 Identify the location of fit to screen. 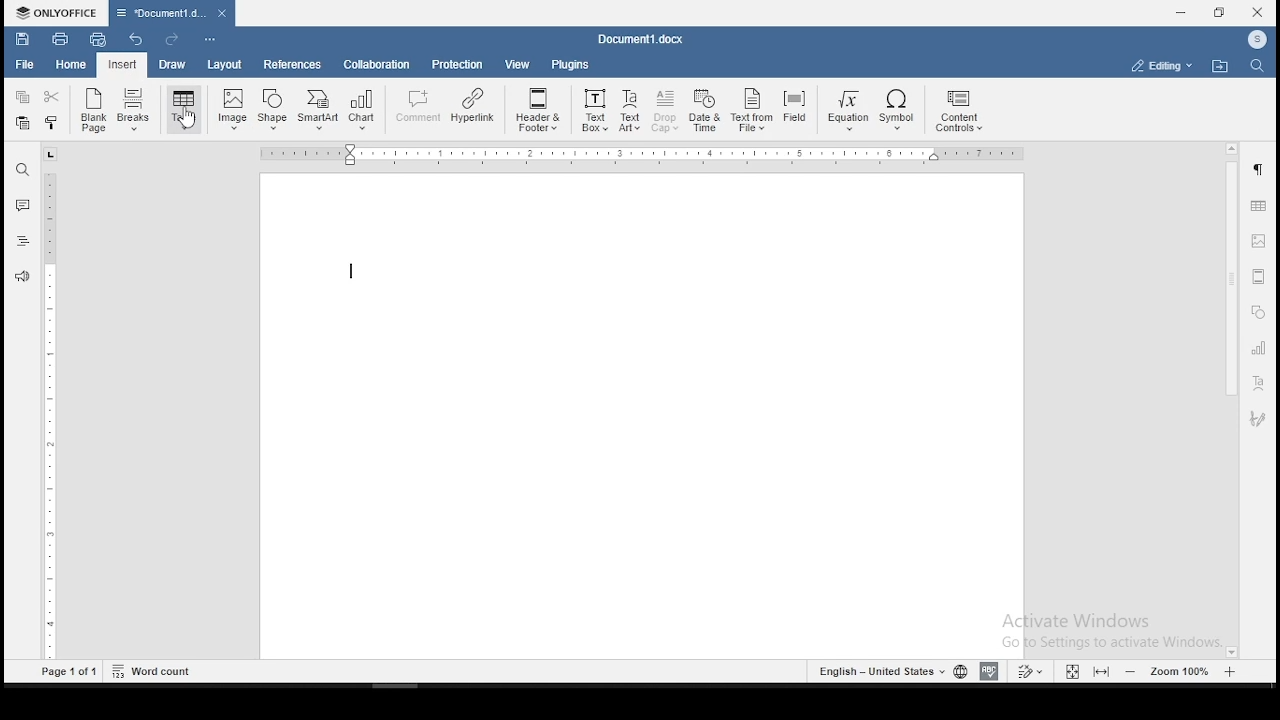
(1100, 672).